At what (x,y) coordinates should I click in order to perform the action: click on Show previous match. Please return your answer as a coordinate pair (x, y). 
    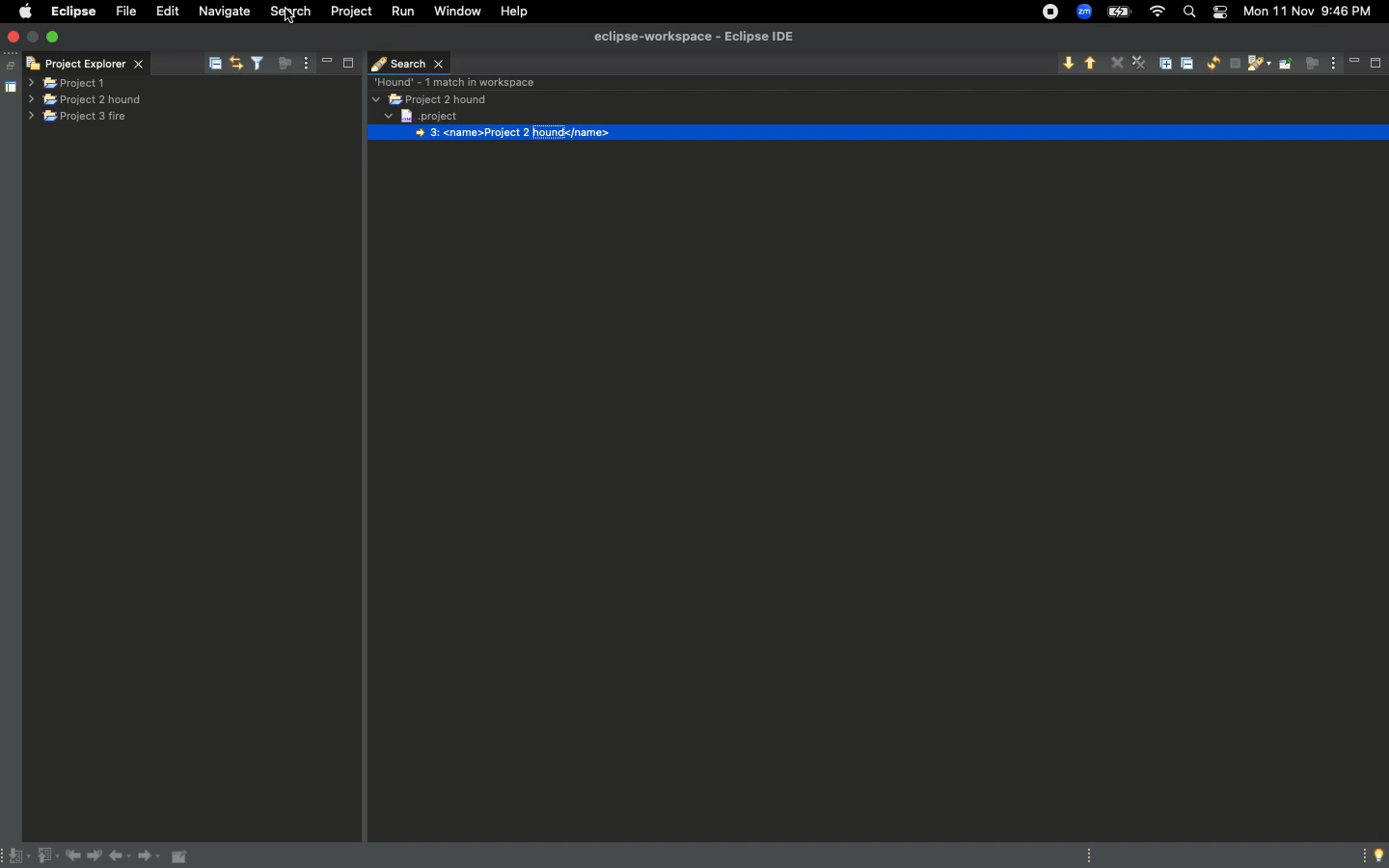
    Looking at the image, I should click on (1091, 65).